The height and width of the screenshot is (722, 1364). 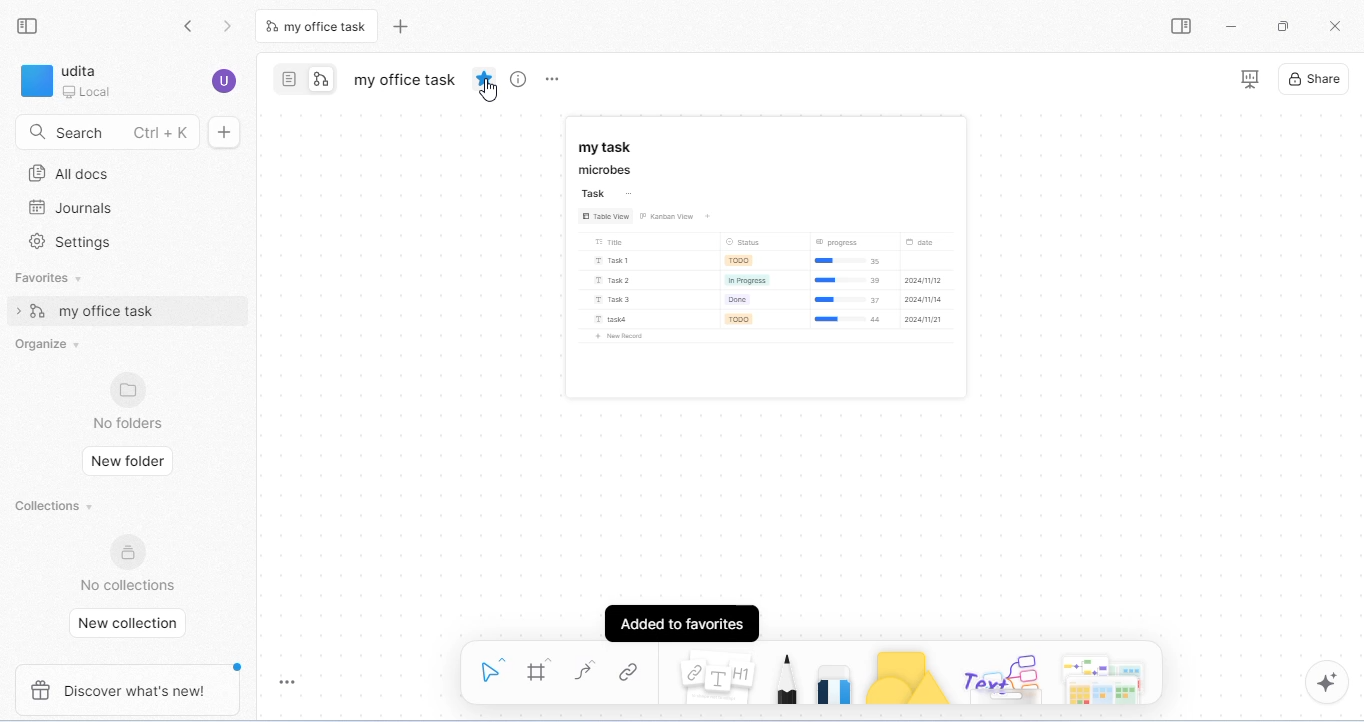 I want to click on share, so click(x=1315, y=79).